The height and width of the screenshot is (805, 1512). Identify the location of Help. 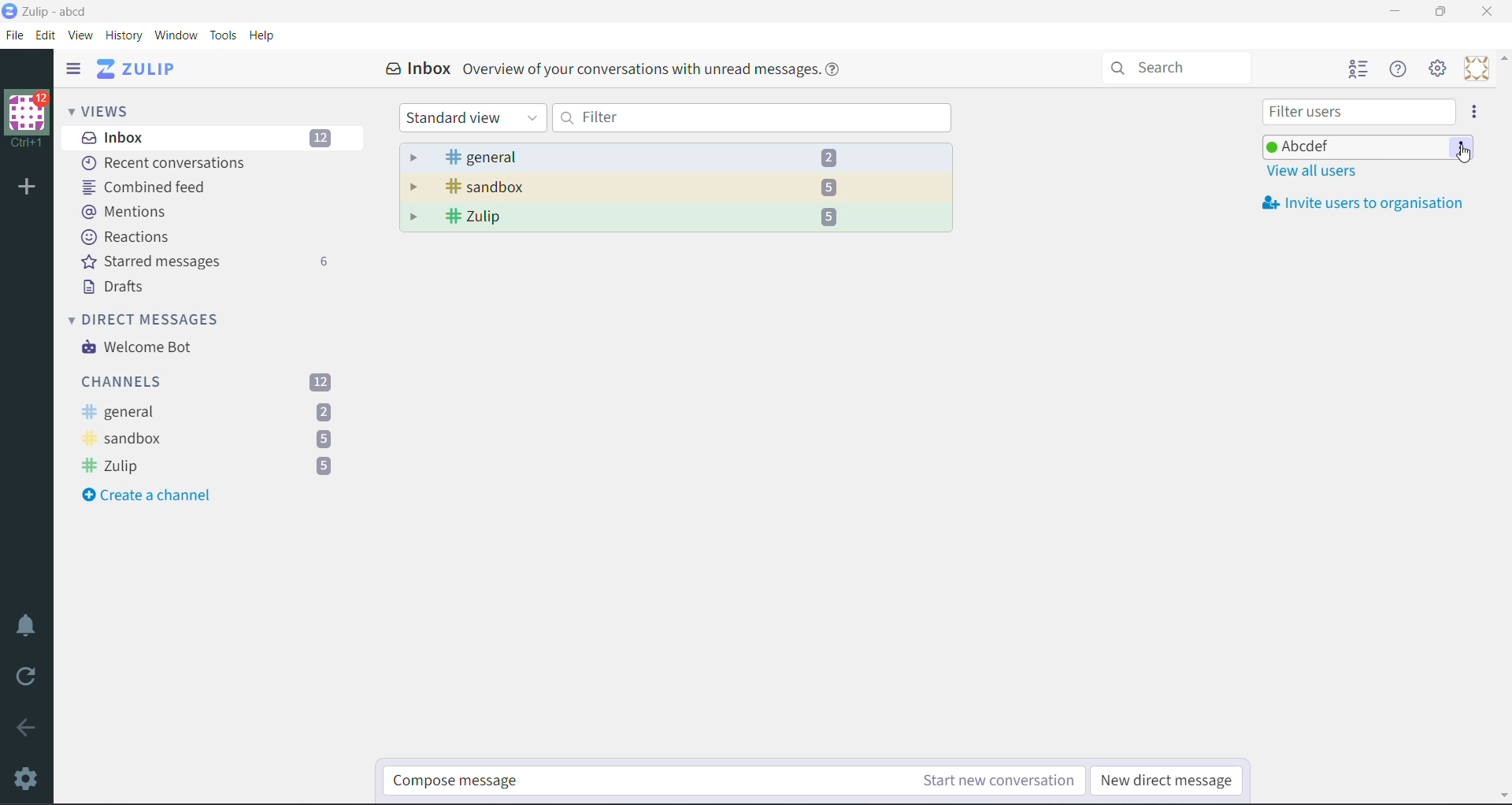
(265, 35).